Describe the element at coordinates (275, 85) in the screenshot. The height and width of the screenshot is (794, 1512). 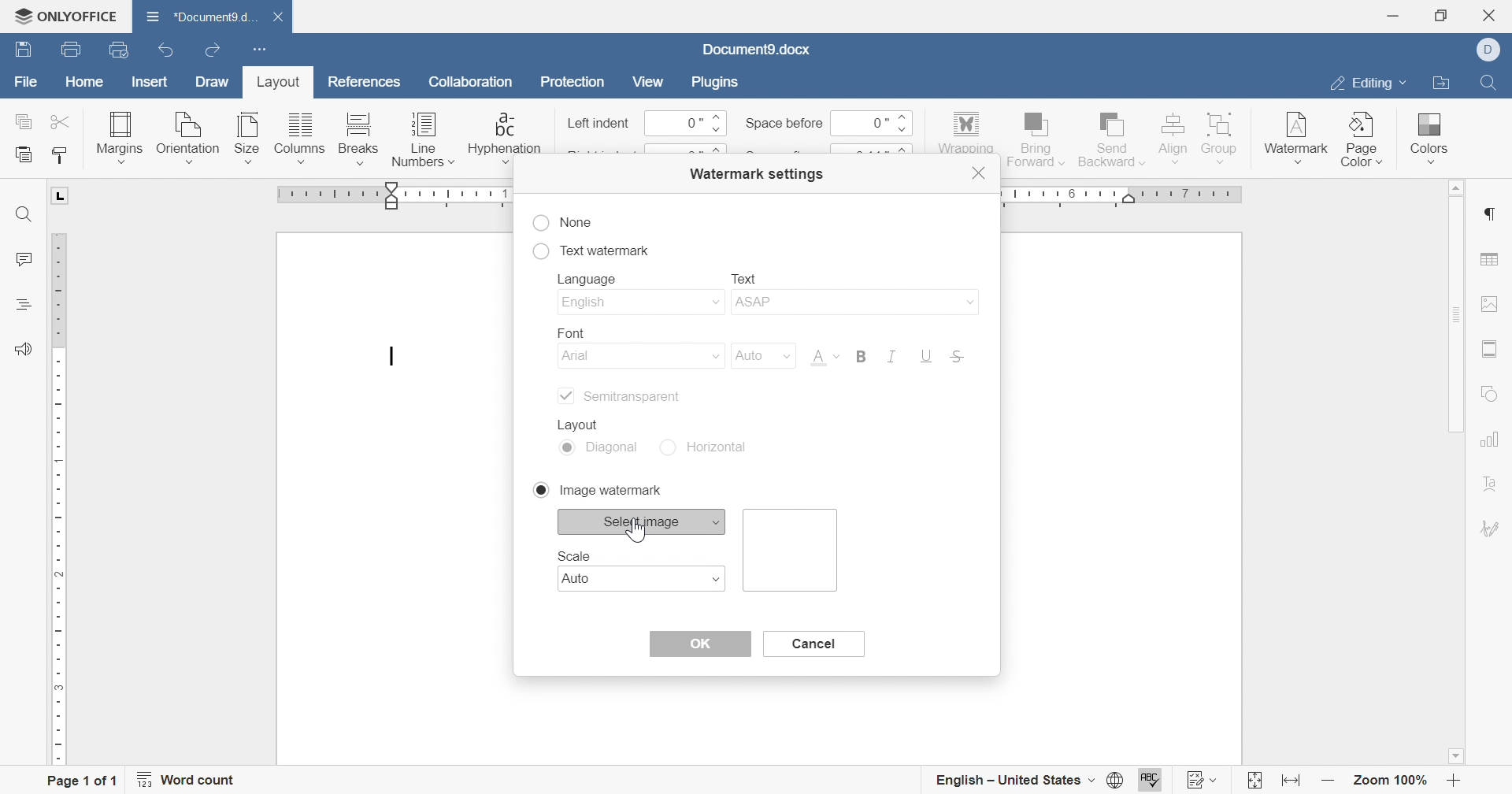
I see `layout` at that location.